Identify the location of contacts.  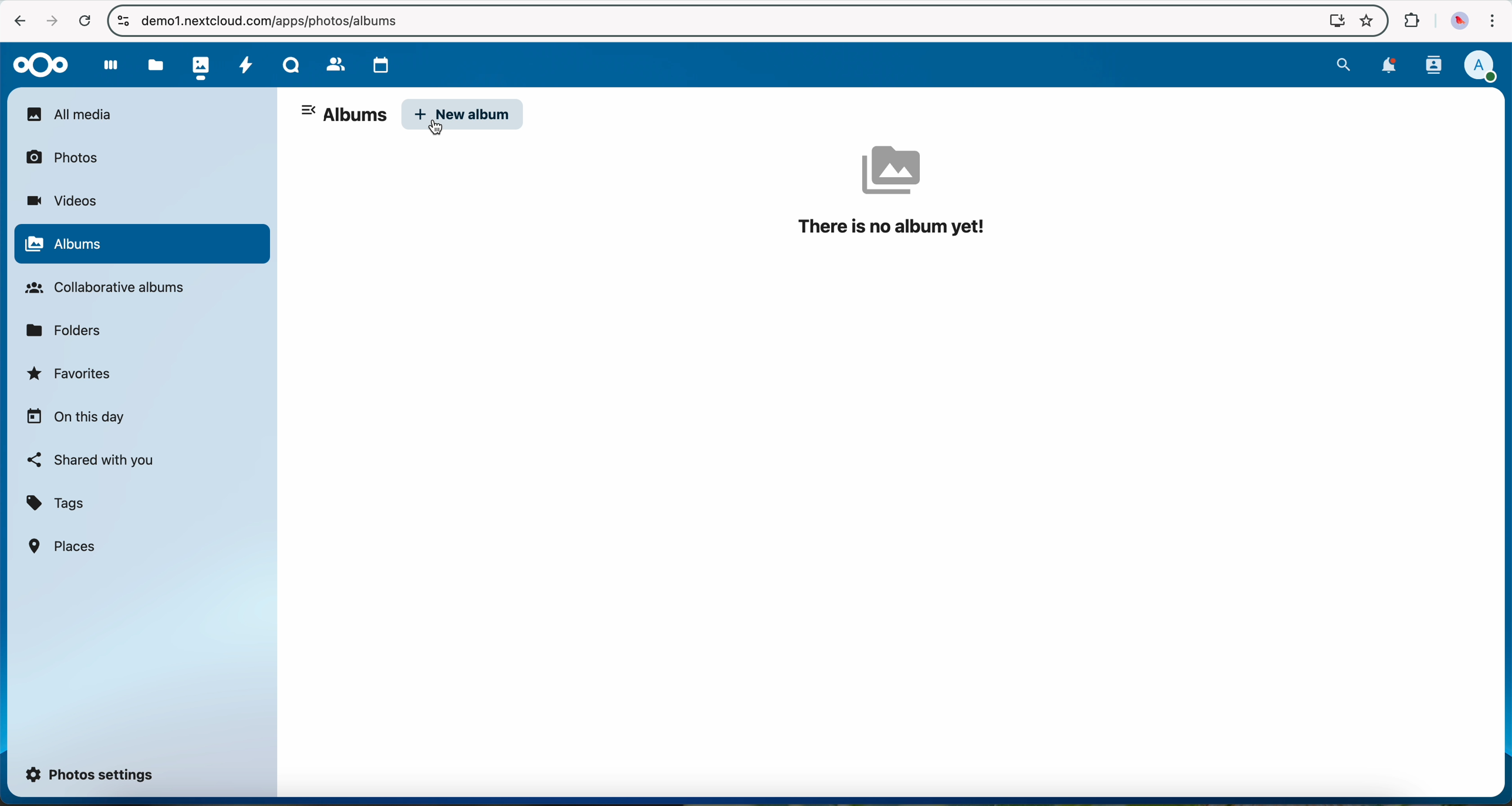
(1430, 65).